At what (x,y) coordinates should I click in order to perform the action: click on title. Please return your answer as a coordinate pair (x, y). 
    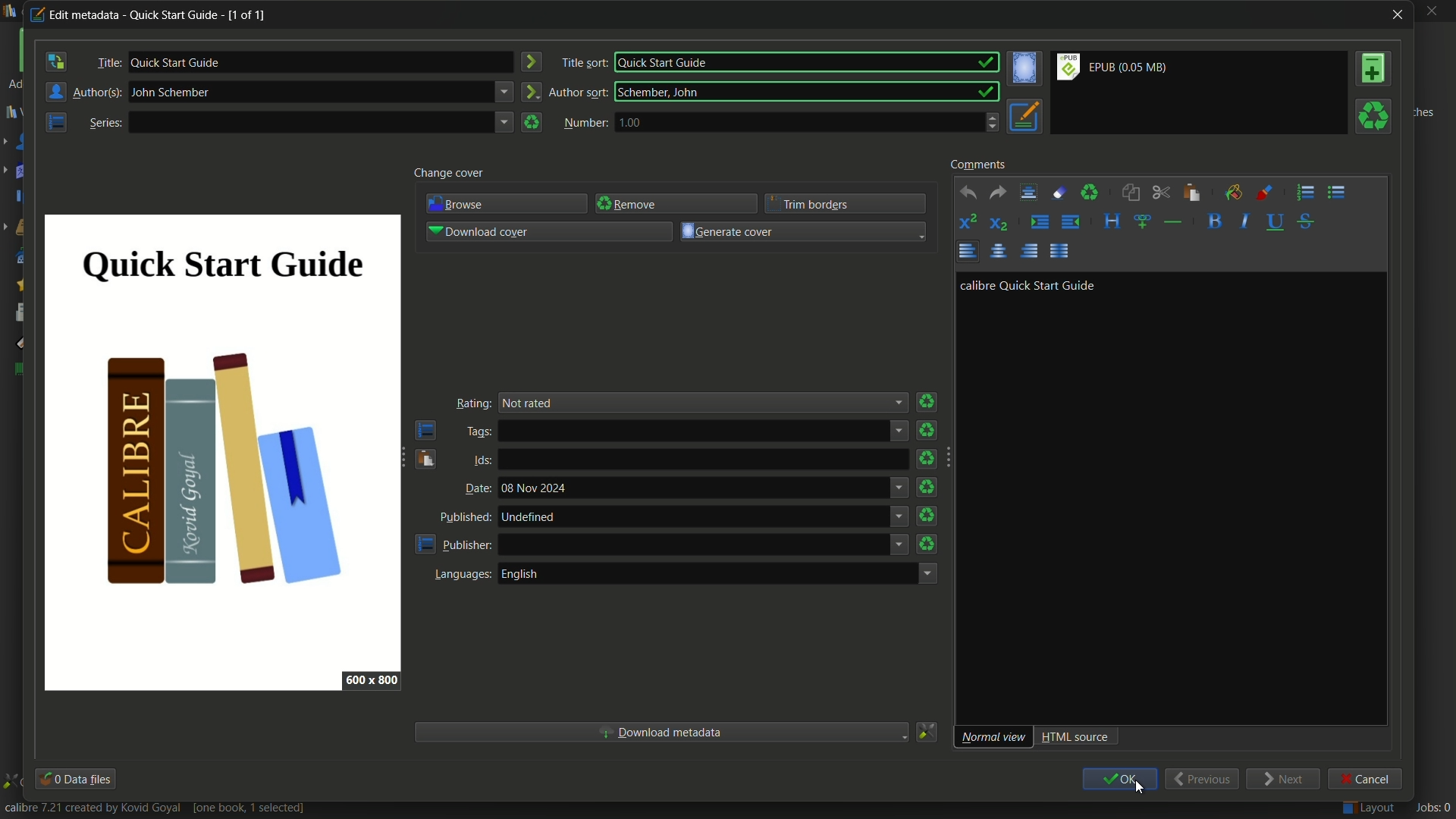
    Looking at the image, I should click on (179, 63).